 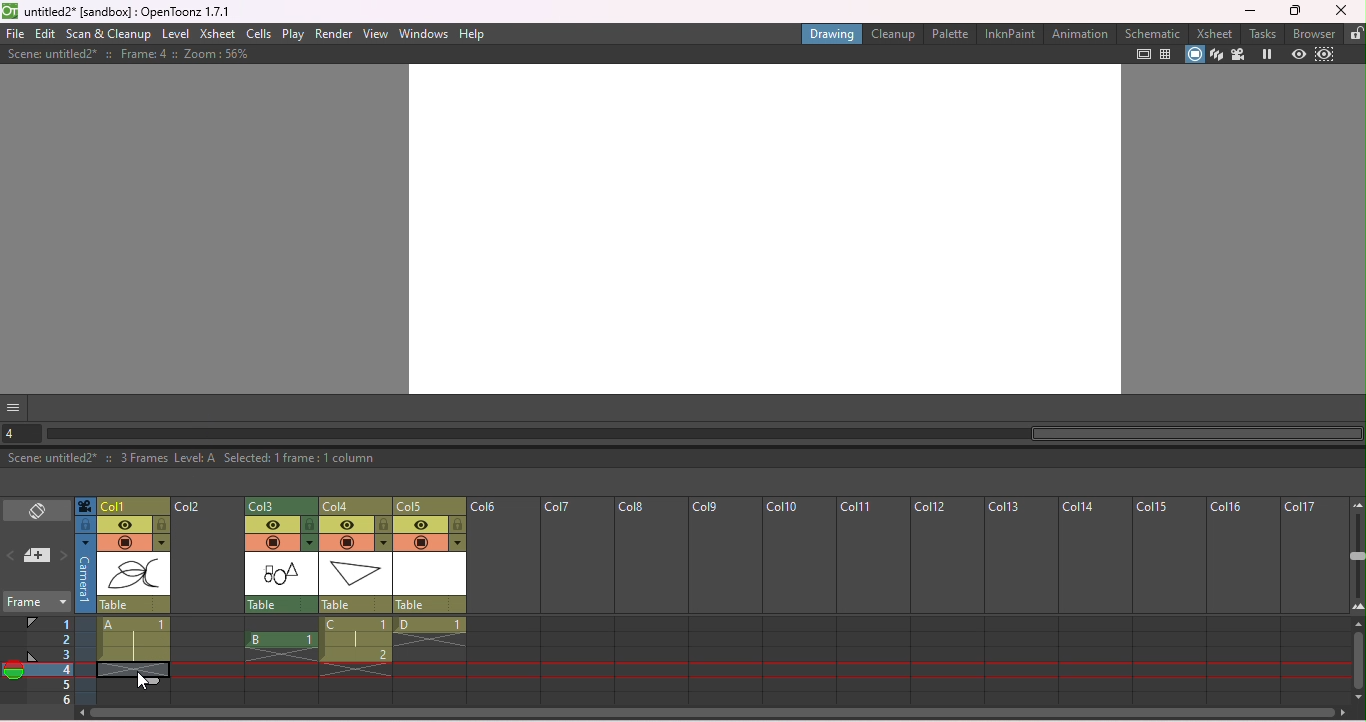 What do you see at coordinates (124, 525) in the screenshot?
I see `Preview visibility toggle` at bounding box center [124, 525].